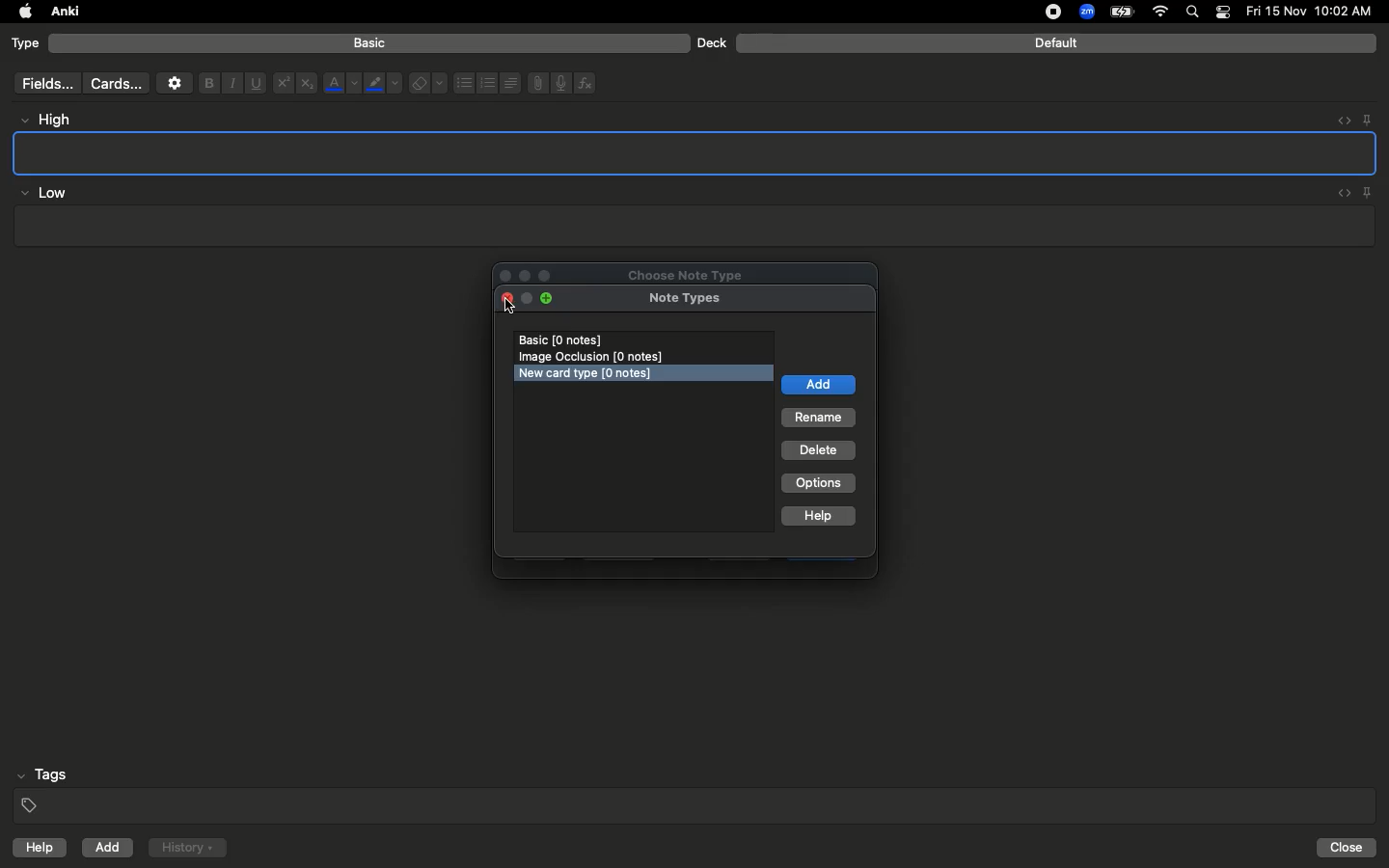 The image size is (1389, 868). What do you see at coordinates (1223, 13) in the screenshot?
I see `Notification bar` at bounding box center [1223, 13].